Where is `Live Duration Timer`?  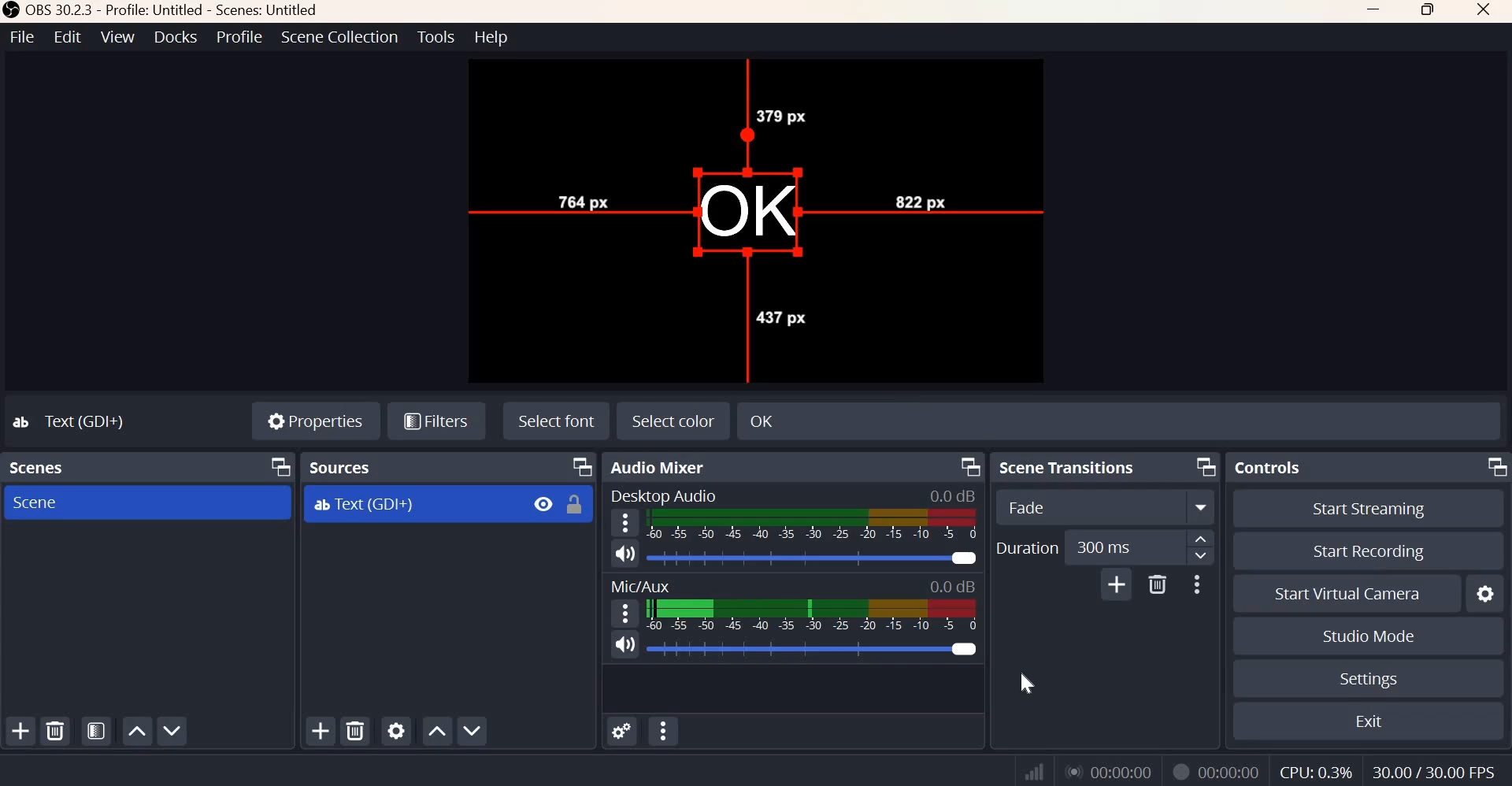
Live Duration Timer is located at coordinates (1110, 770).